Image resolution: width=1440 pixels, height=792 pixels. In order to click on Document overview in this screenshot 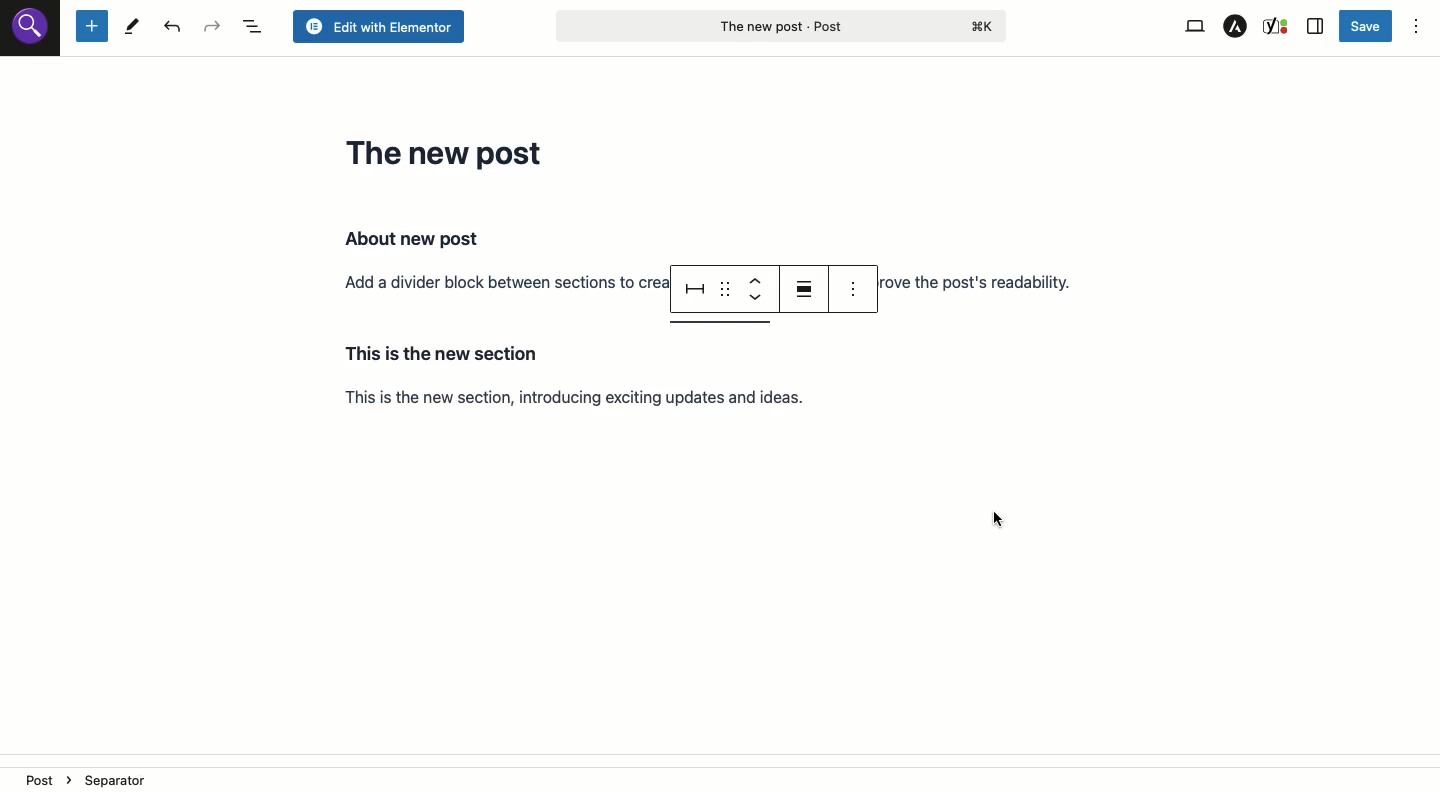, I will do `click(255, 27)`.